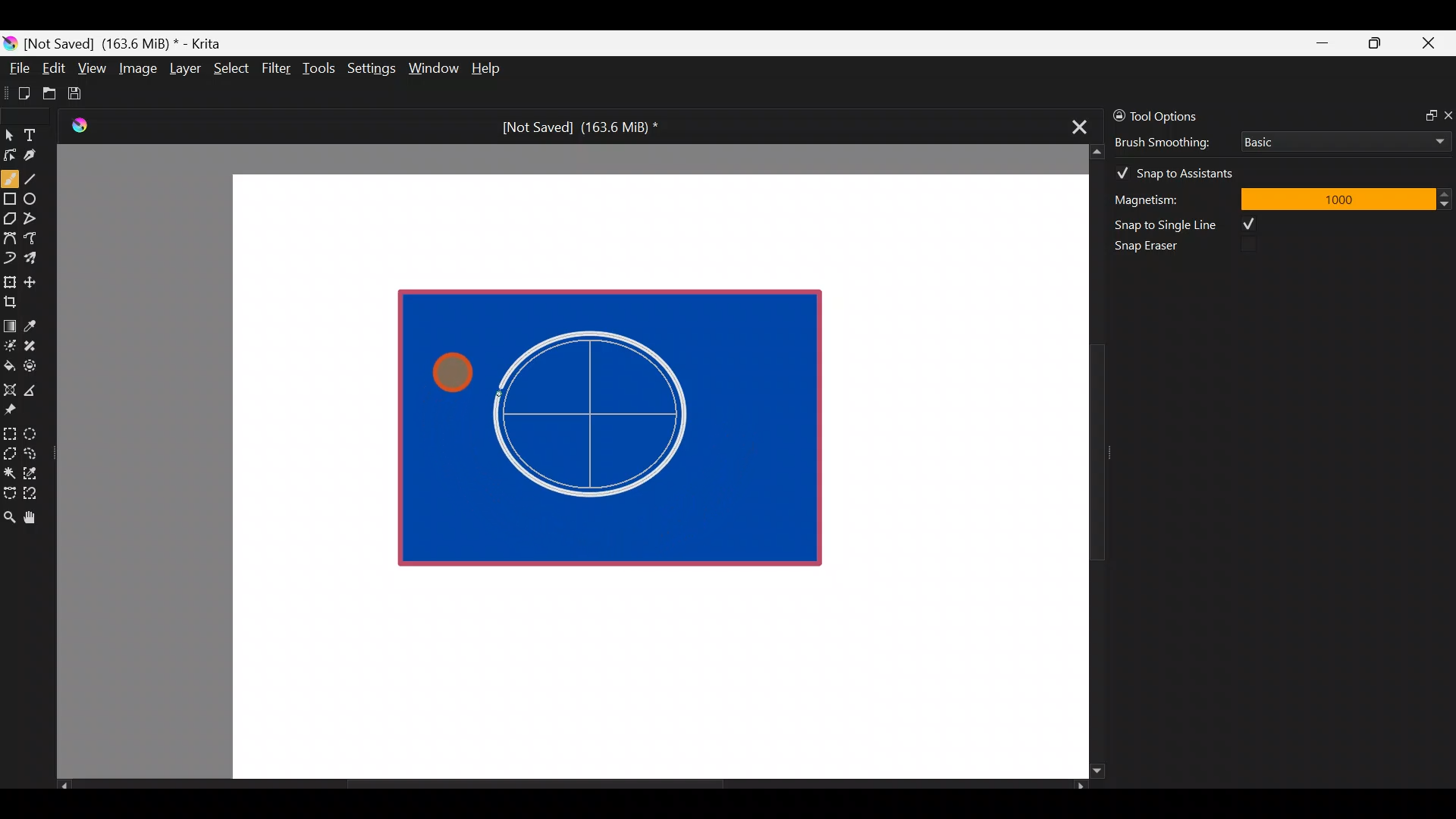  I want to click on Pan tool, so click(36, 518).